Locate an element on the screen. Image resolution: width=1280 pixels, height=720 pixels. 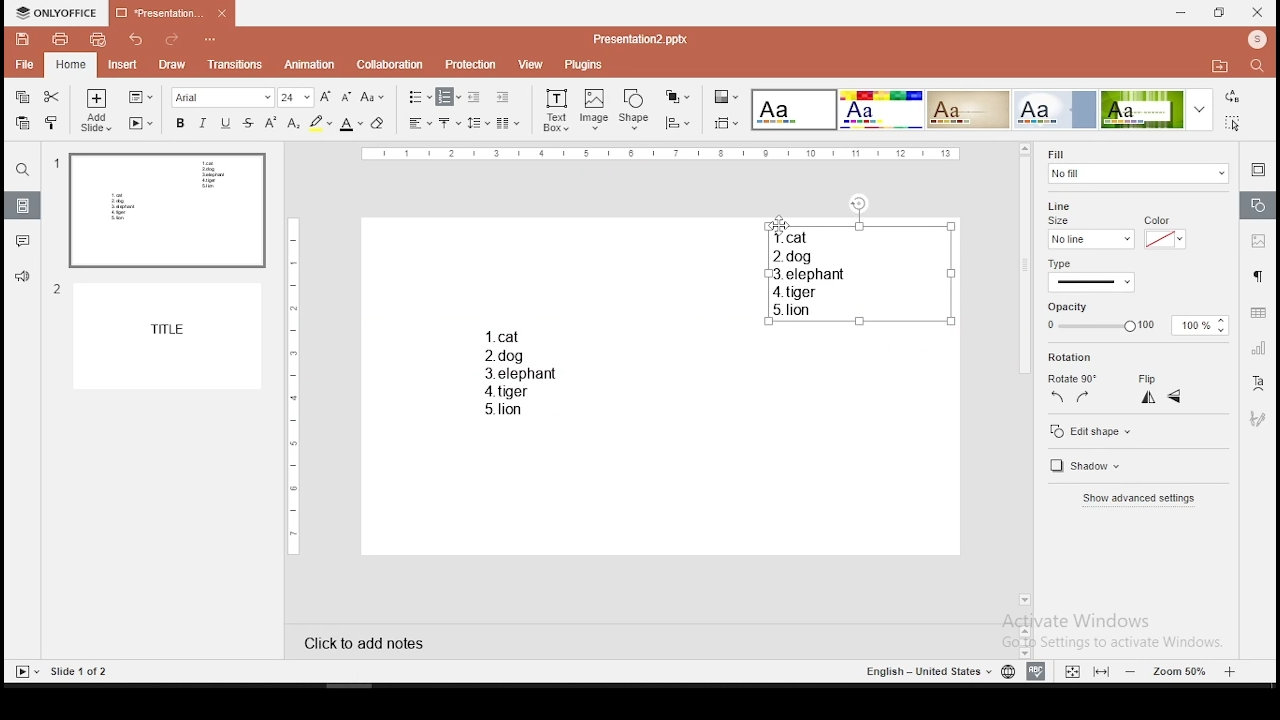
theme is located at coordinates (1055, 109).